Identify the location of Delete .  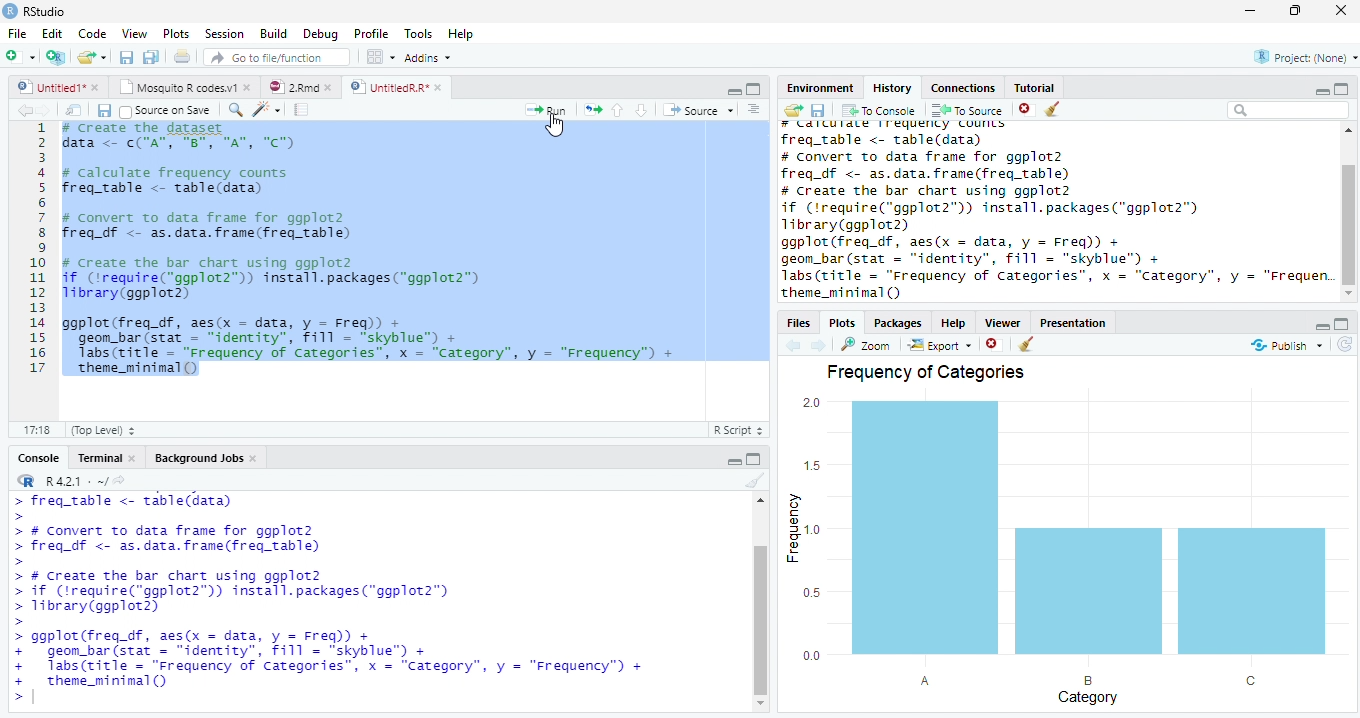
(1027, 110).